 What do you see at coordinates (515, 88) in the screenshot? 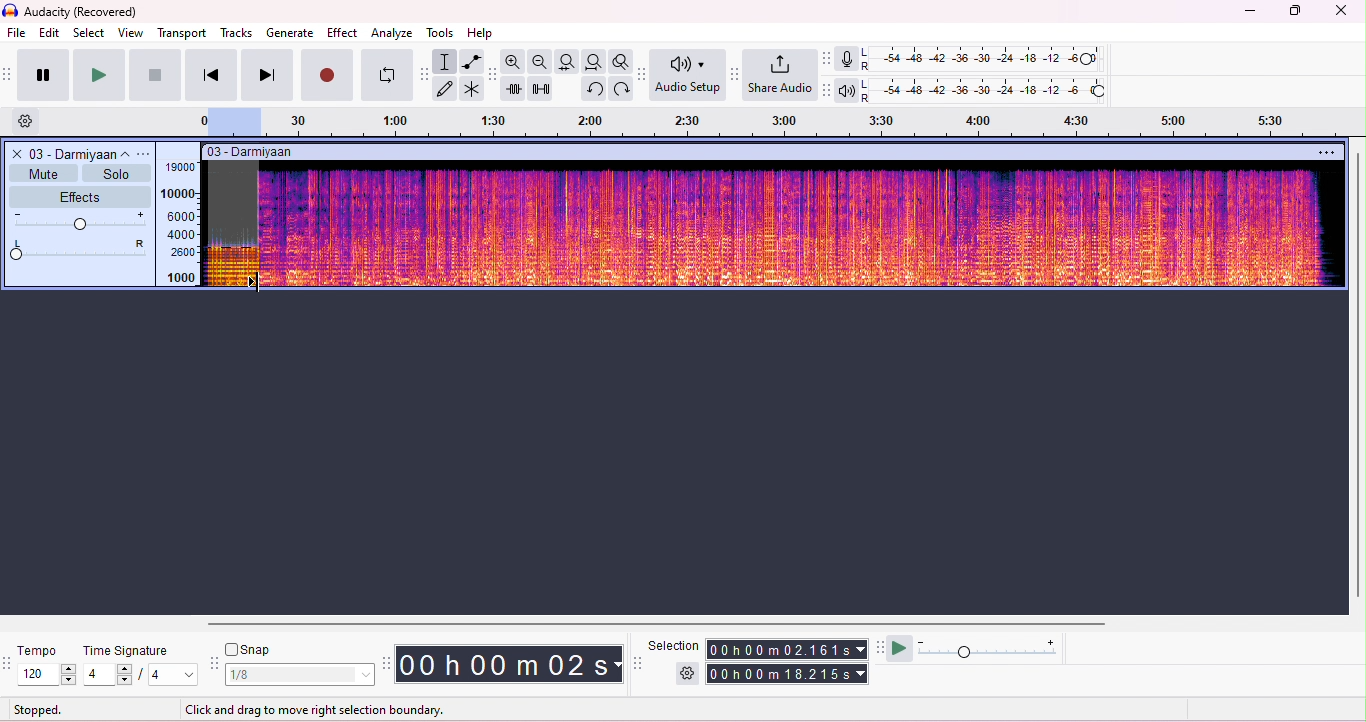
I see `trim outside selection` at bounding box center [515, 88].